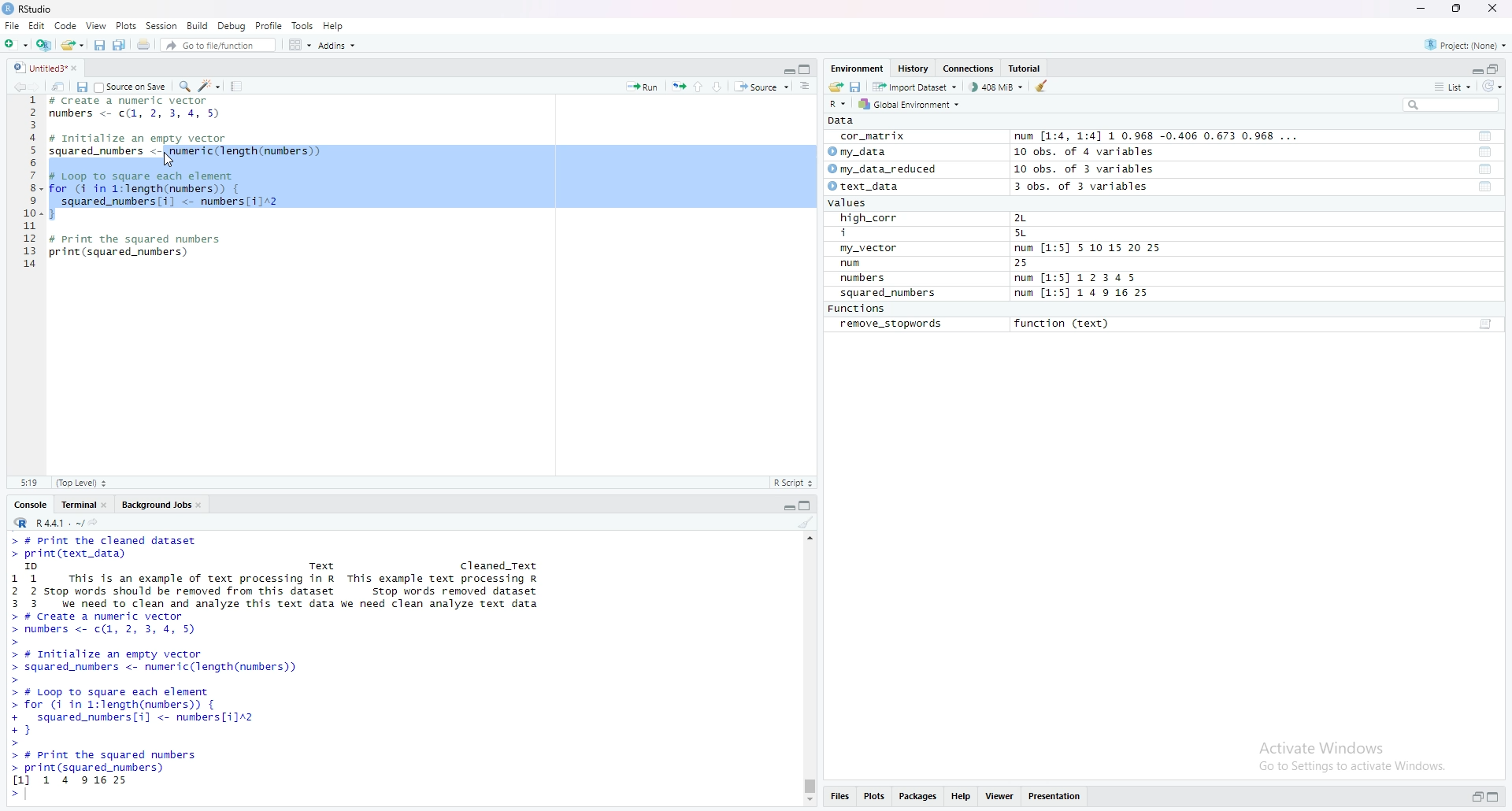 The width and height of the screenshot is (1512, 811). Describe the element at coordinates (1420, 9) in the screenshot. I see `minimize` at that location.